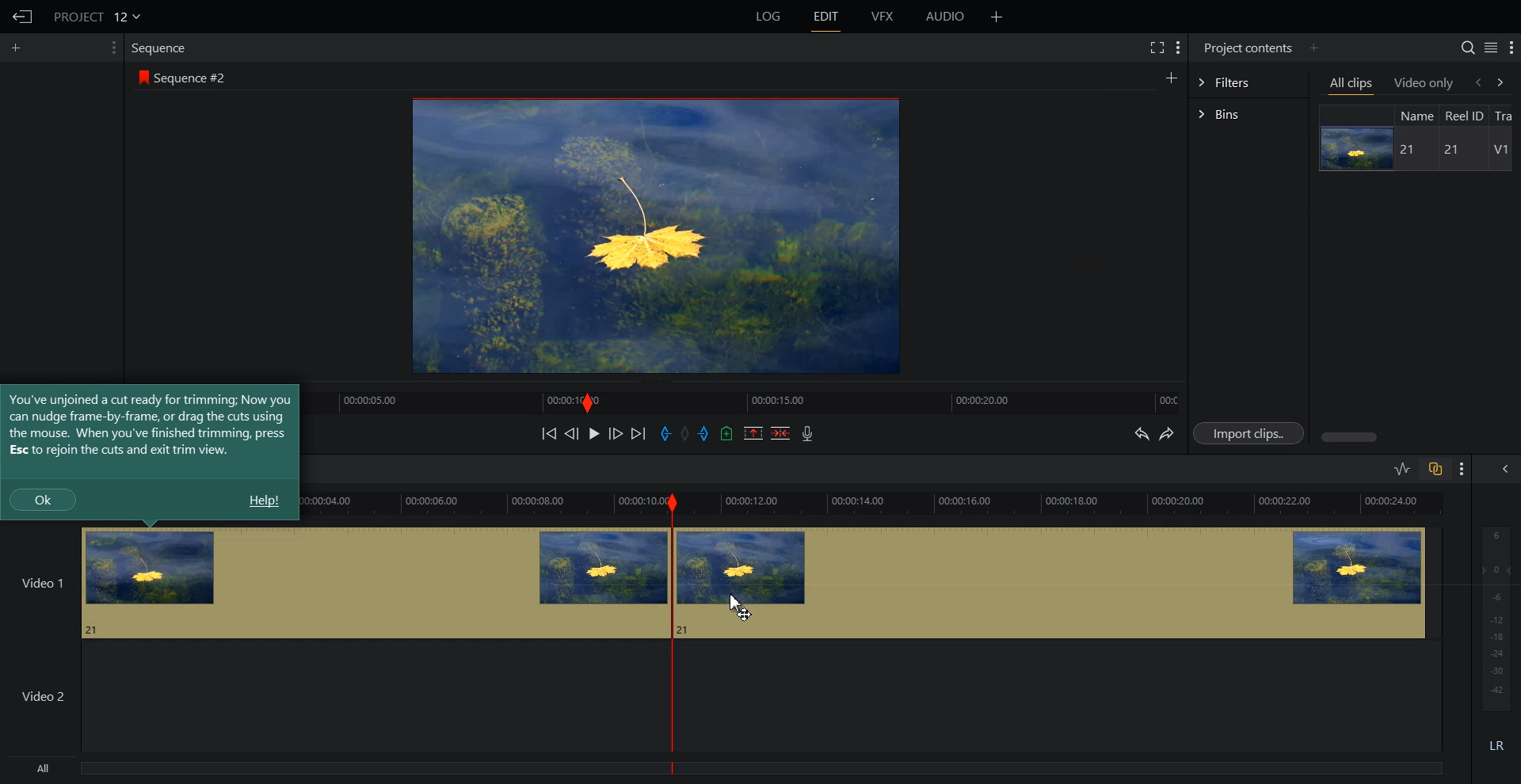  I want to click on Undo, so click(1140, 432).